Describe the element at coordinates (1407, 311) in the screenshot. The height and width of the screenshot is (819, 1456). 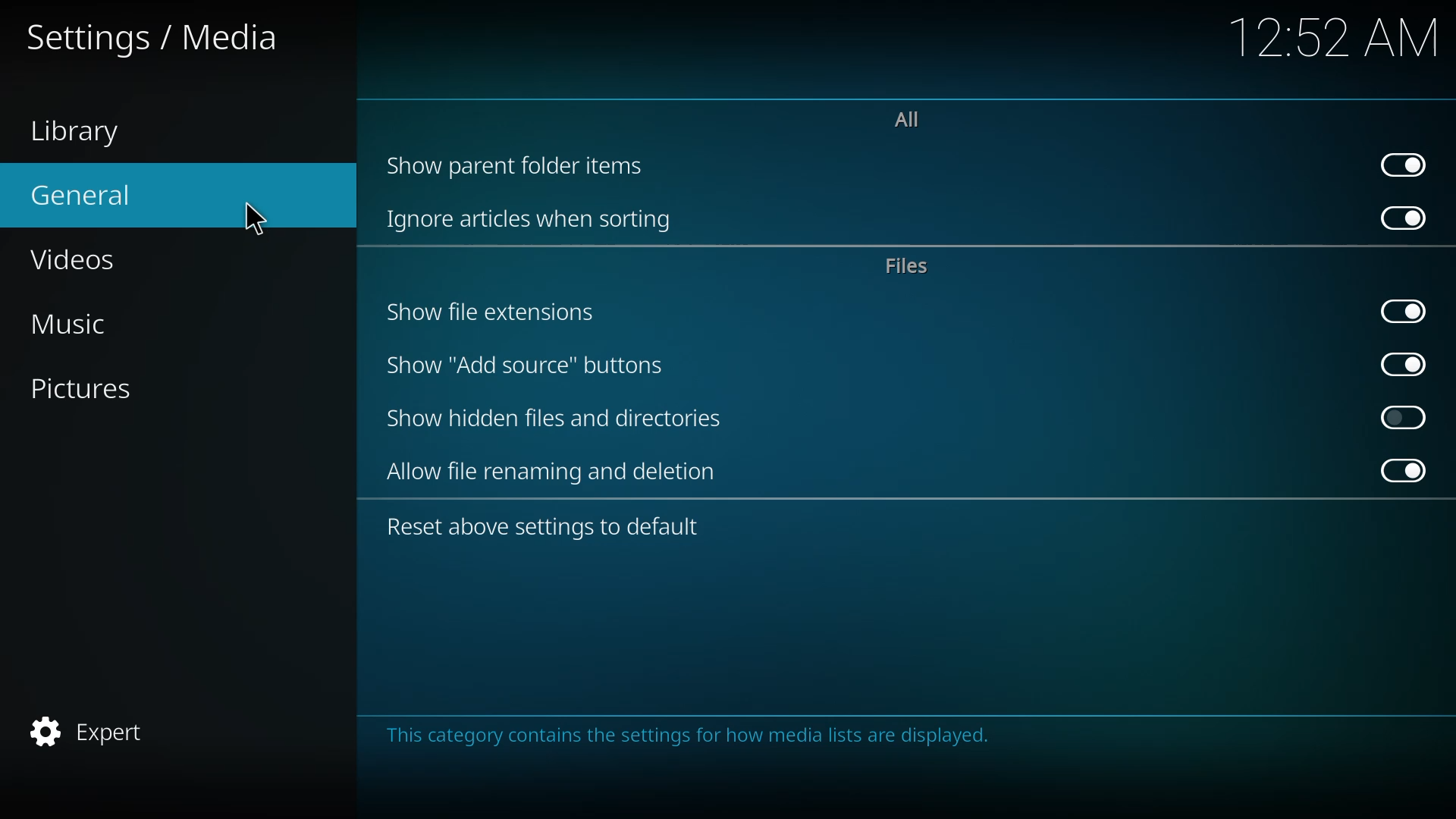
I see `enabled` at that location.